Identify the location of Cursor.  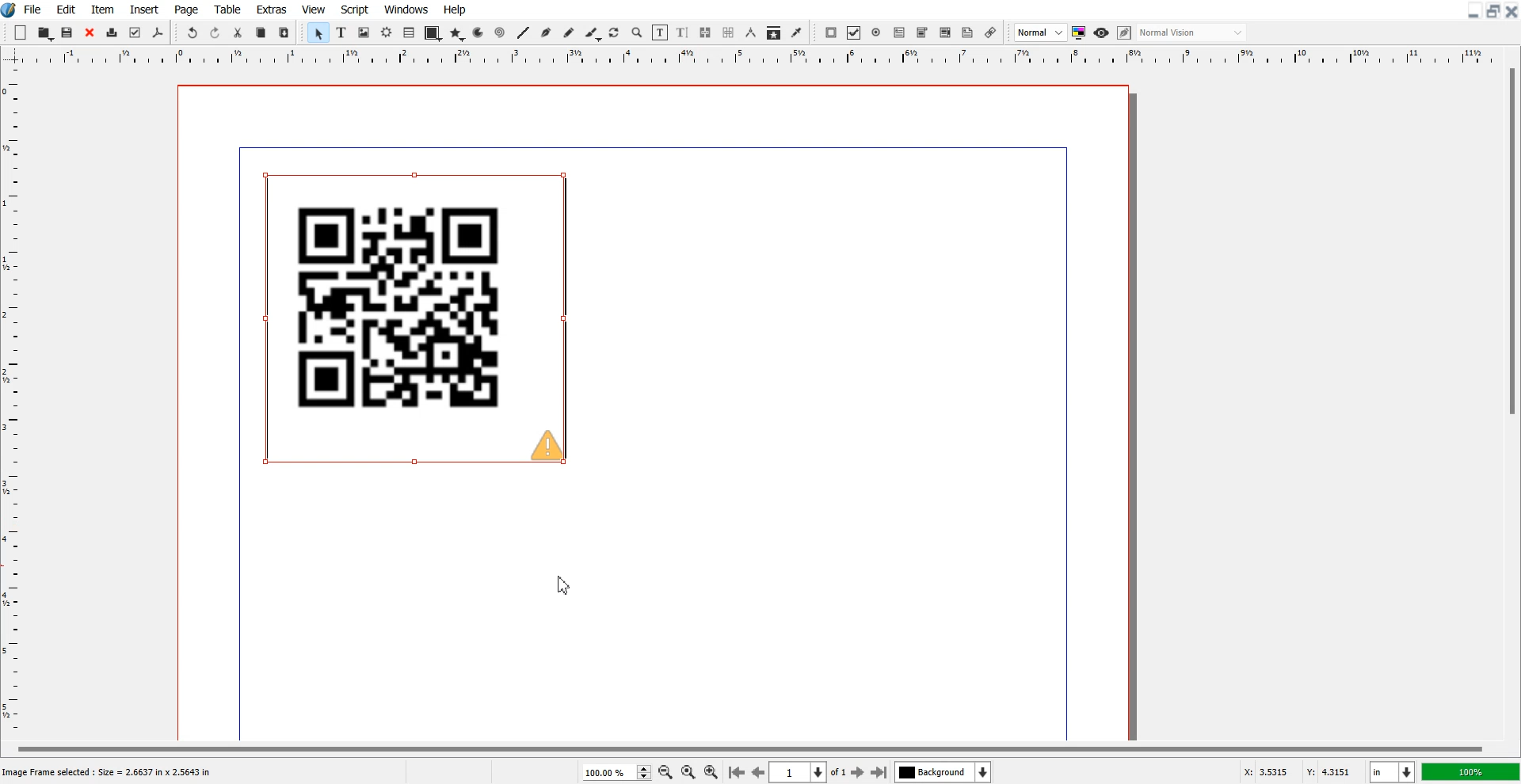
(566, 585).